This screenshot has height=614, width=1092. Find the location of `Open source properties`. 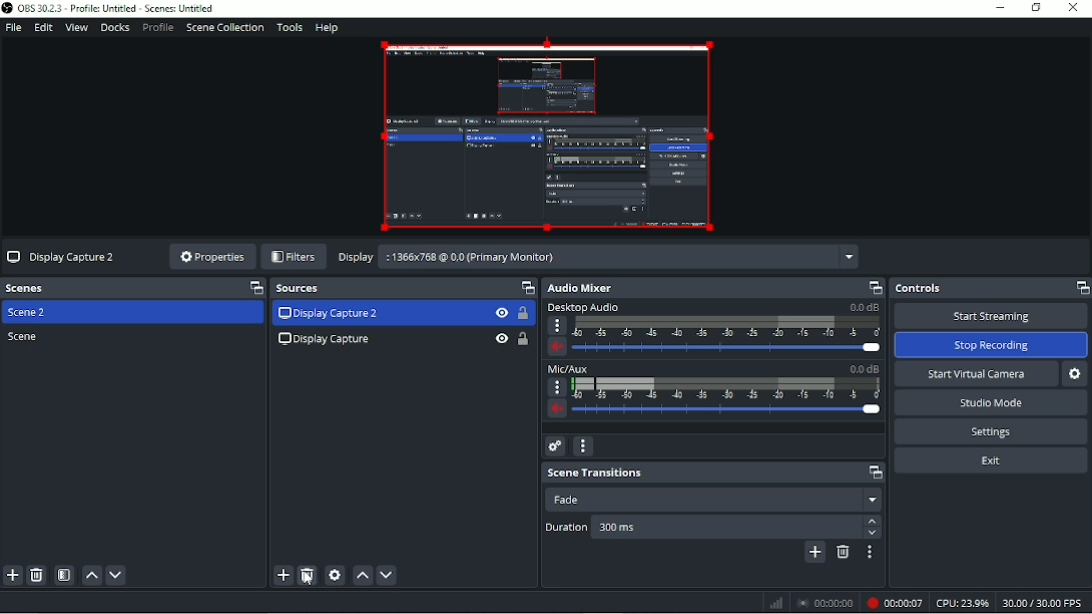

Open source properties is located at coordinates (335, 575).